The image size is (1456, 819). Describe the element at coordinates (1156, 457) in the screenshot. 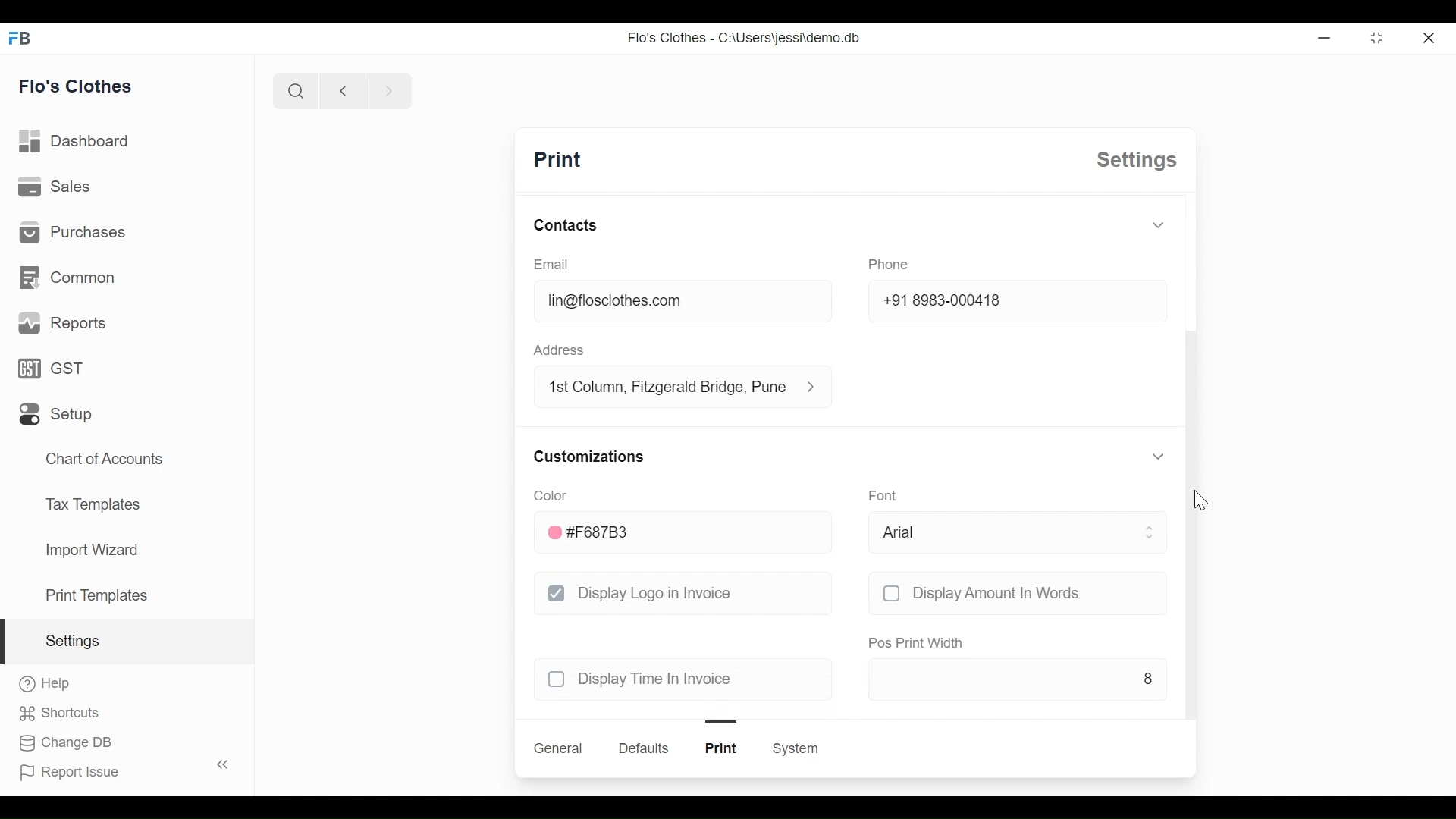

I see `toggle expand/collapse` at that location.